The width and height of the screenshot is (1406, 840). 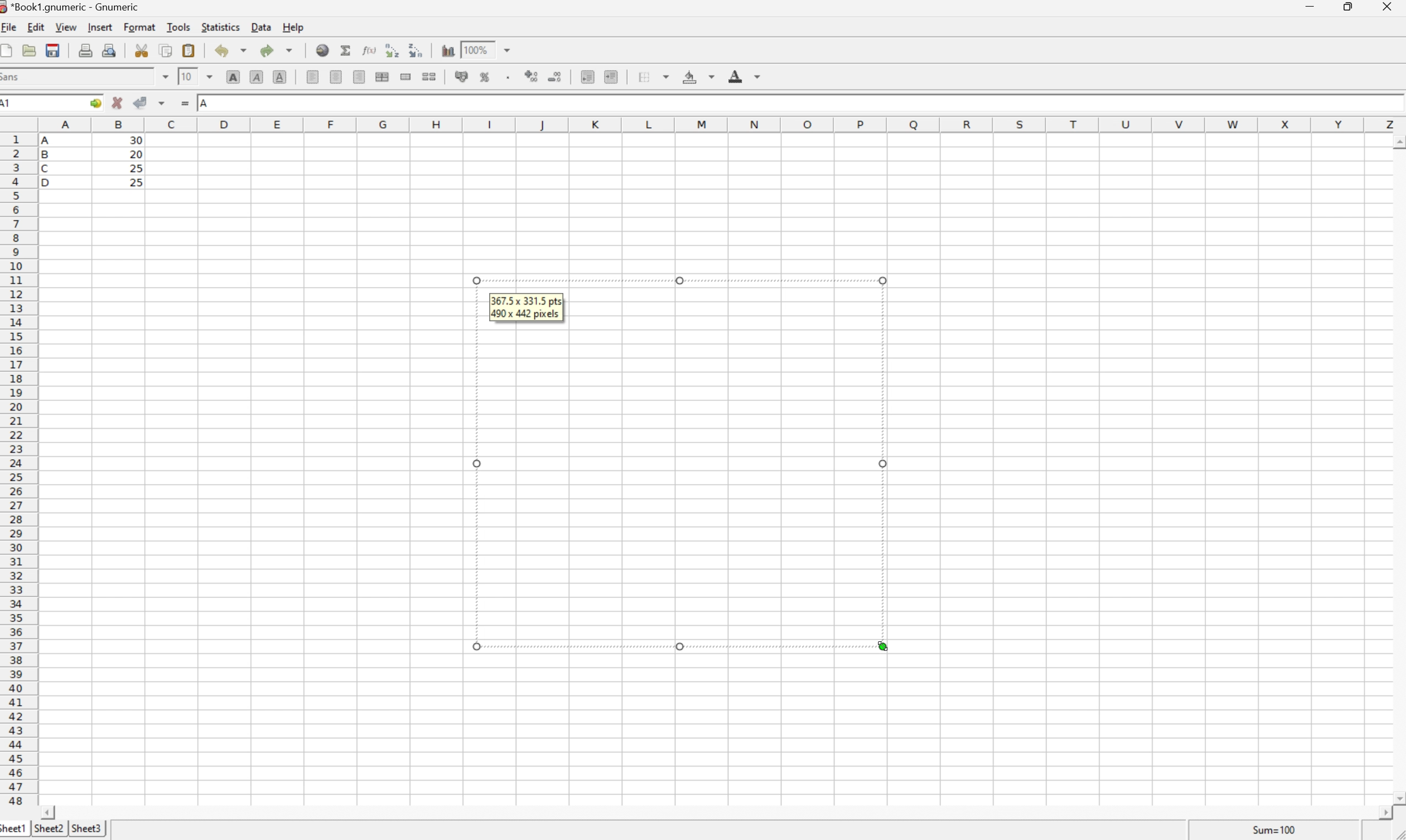 What do you see at coordinates (49, 156) in the screenshot?
I see `B` at bounding box center [49, 156].